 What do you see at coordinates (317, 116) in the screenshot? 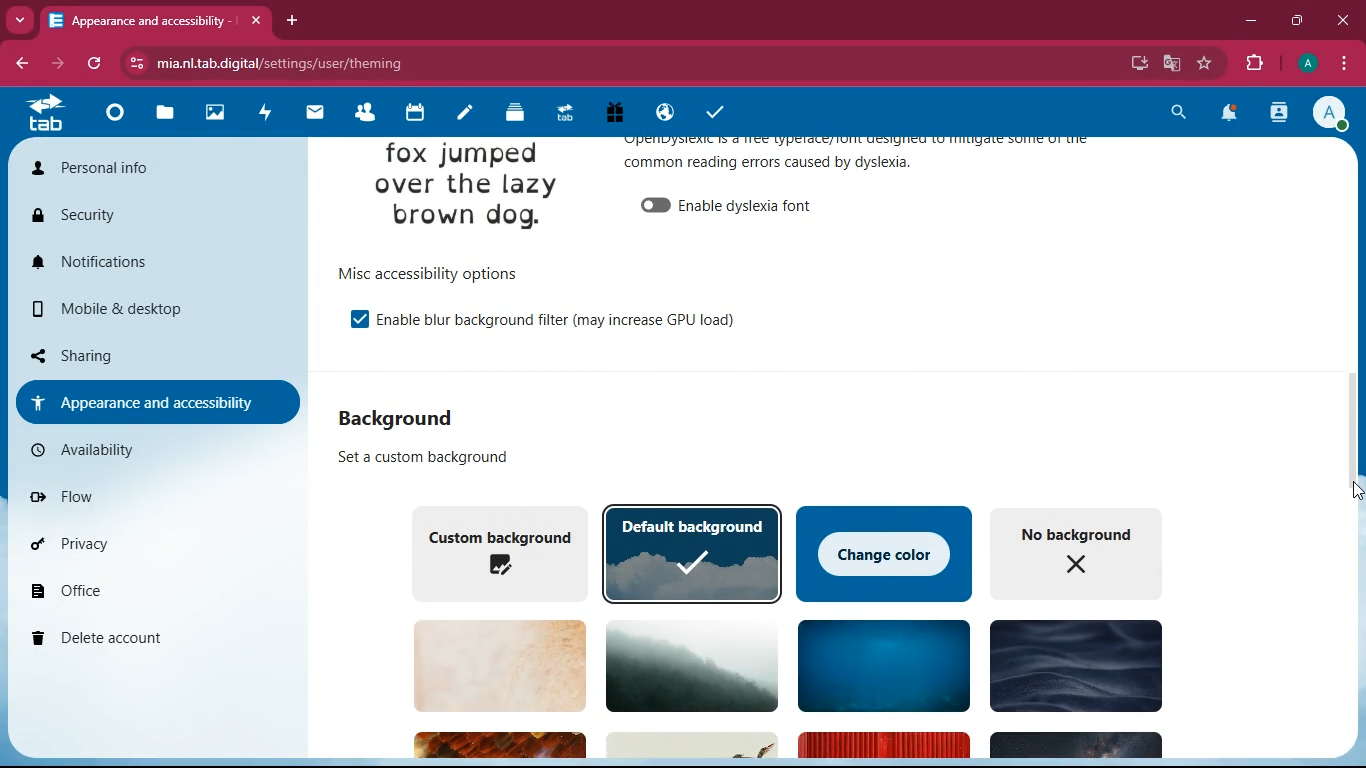
I see `mail` at bounding box center [317, 116].